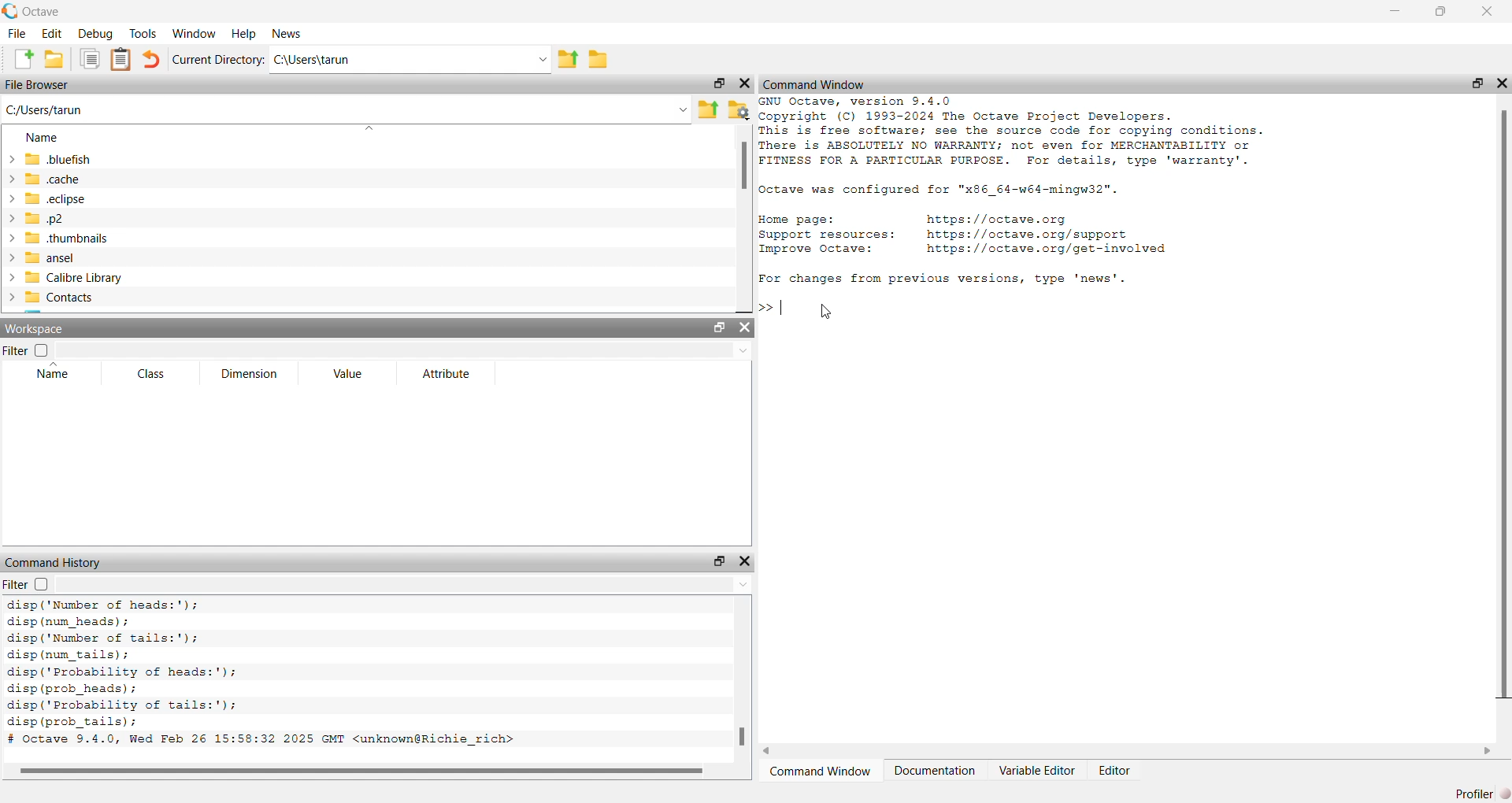  I want to click on Browse your files, so click(739, 109).